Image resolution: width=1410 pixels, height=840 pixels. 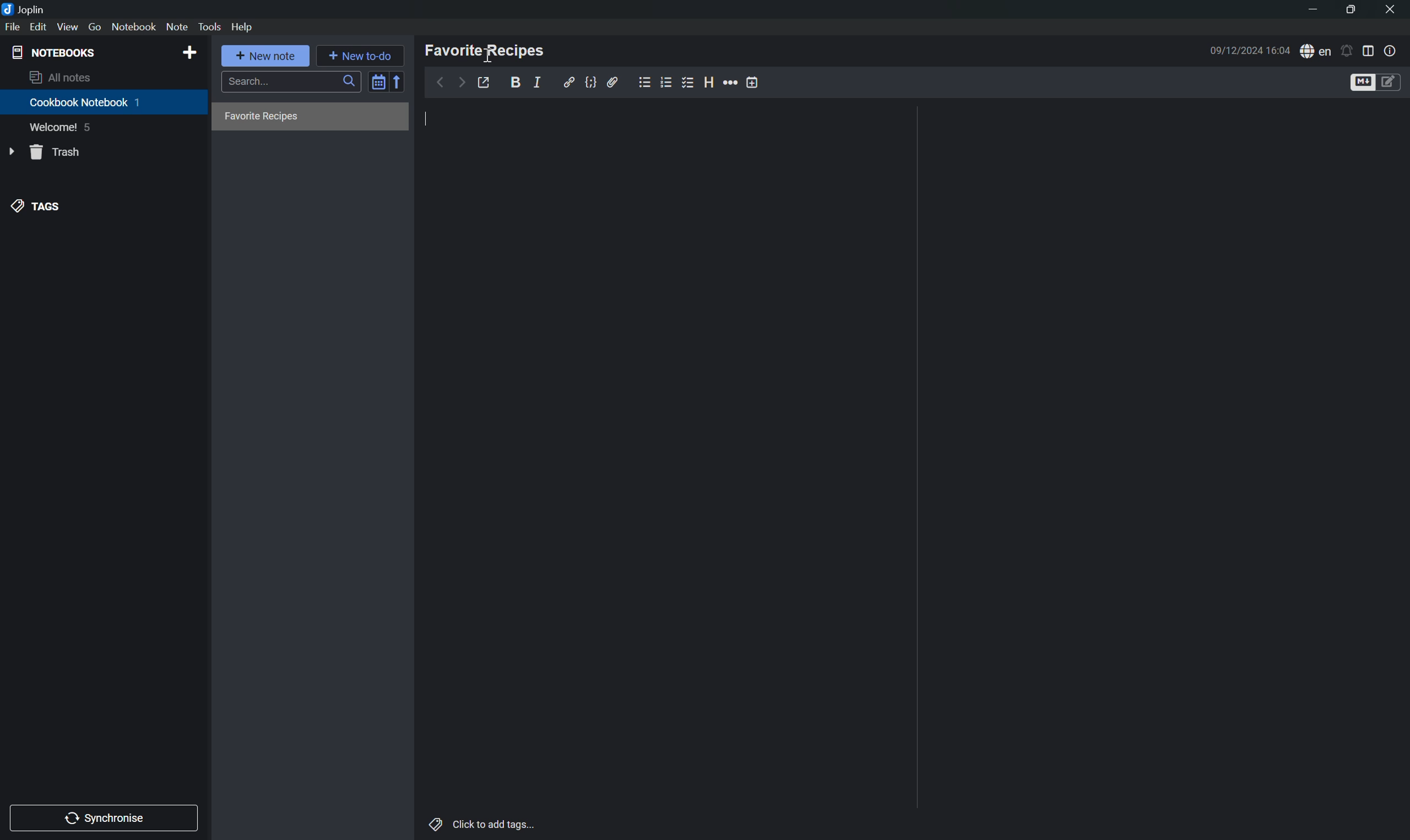 I want to click on Go, so click(x=96, y=27).